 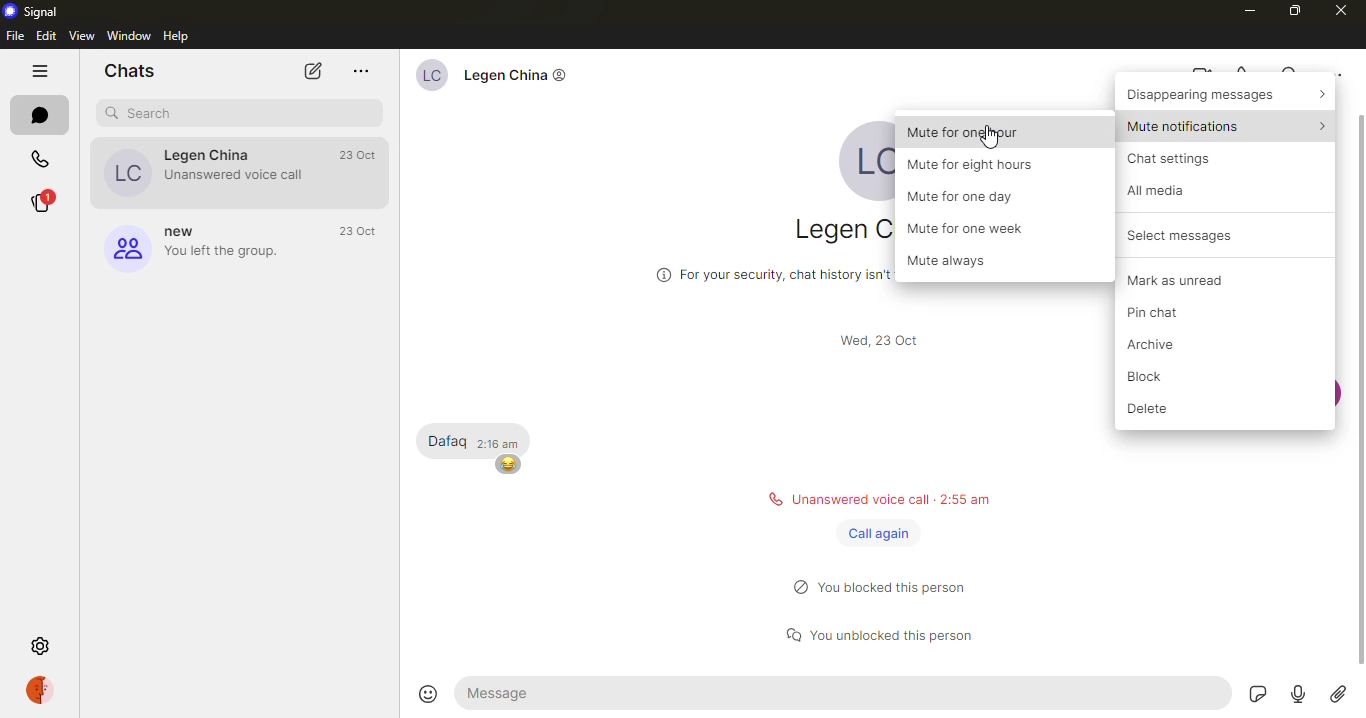 What do you see at coordinates (430, 693) in the screenshot?
I see `emoji` at bounding box center [430, 693].